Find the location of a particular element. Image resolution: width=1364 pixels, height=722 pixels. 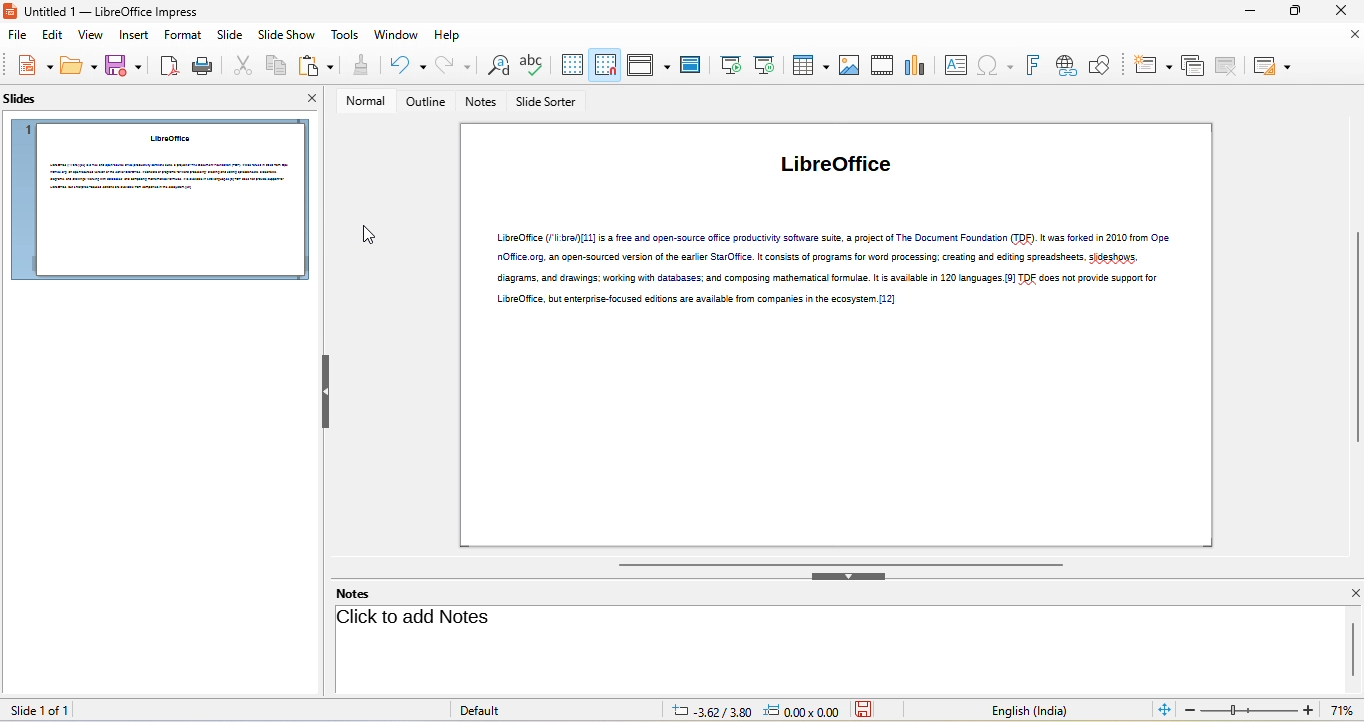

 Untitled 1 — LibreOffice Impress is located at coordinates (105, 11).